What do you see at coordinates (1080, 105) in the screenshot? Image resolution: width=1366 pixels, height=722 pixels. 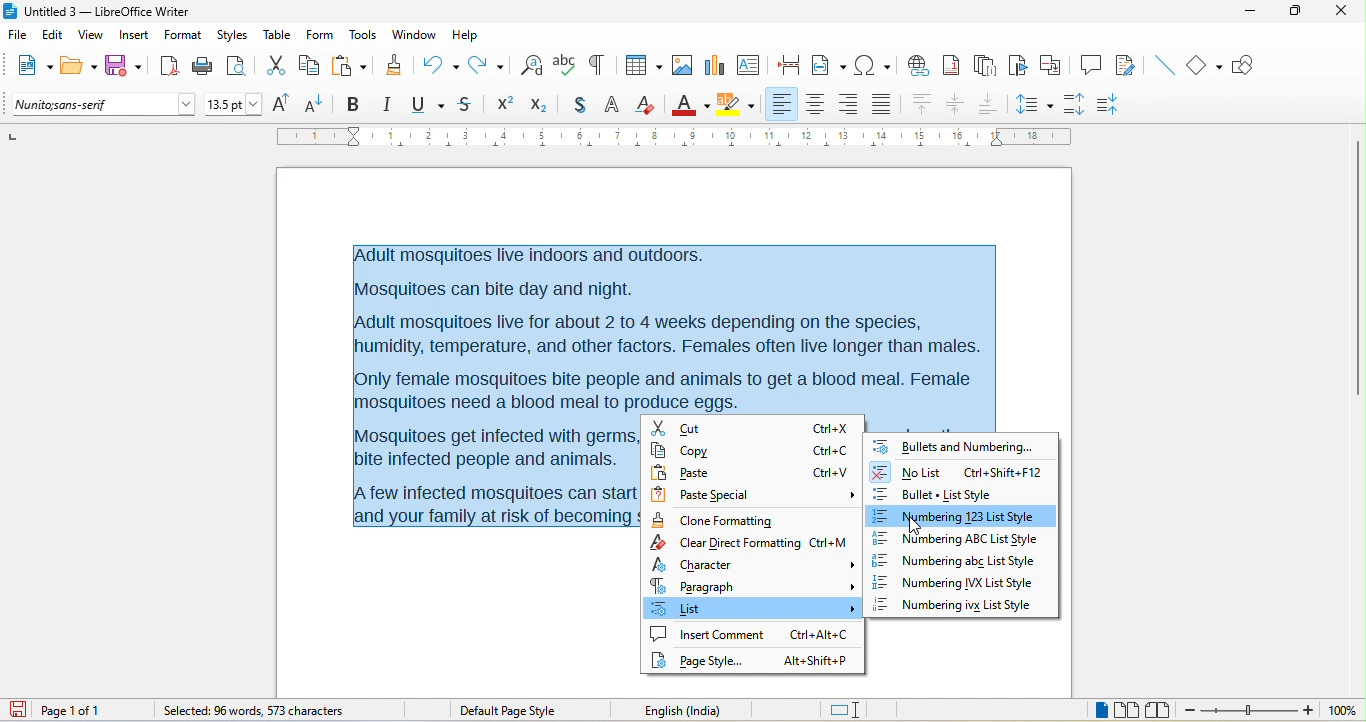 I see `increase paragraph spacing` at bounding box center [1080, 105].